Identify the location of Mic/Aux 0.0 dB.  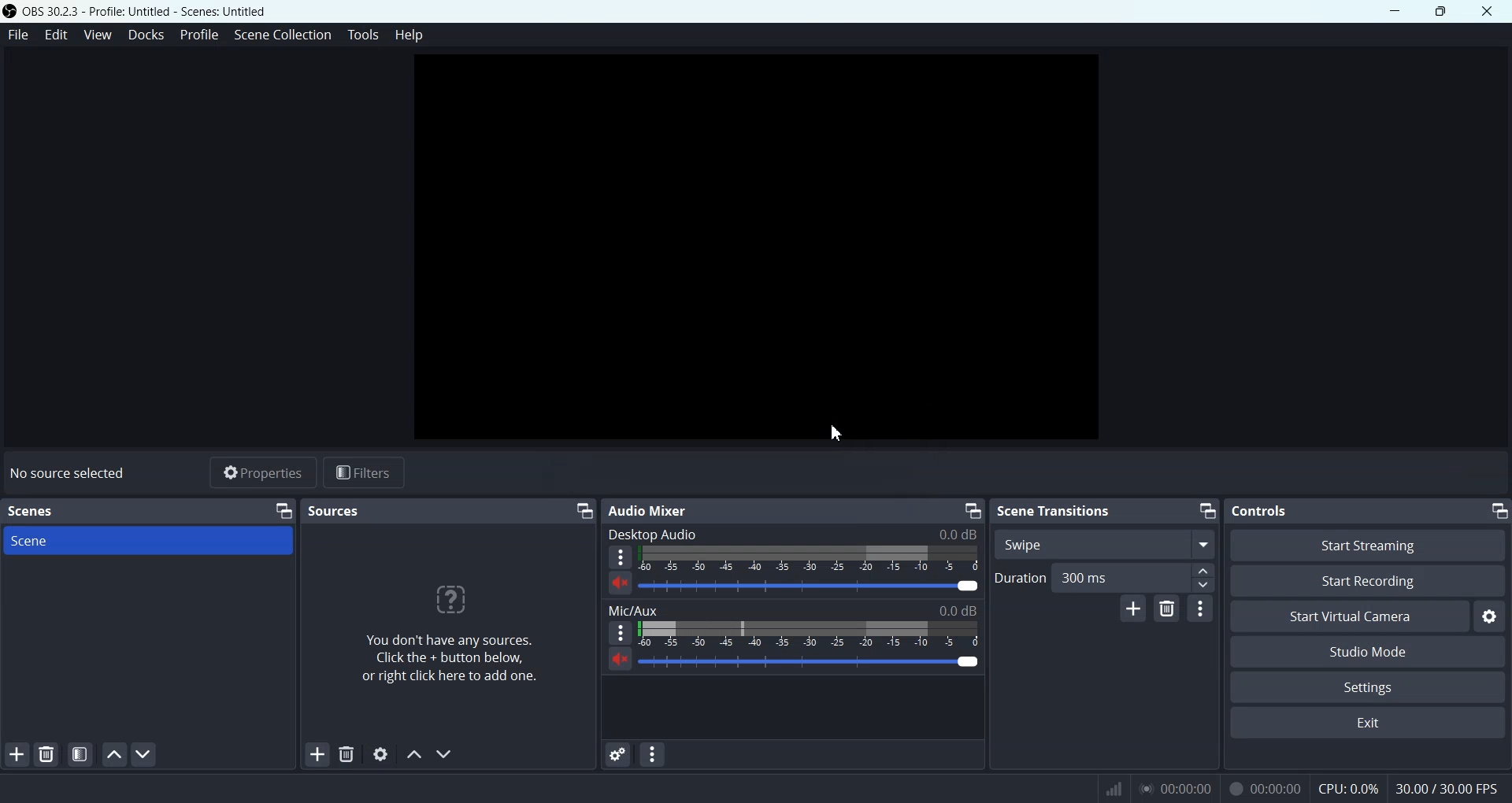
(792, 608).